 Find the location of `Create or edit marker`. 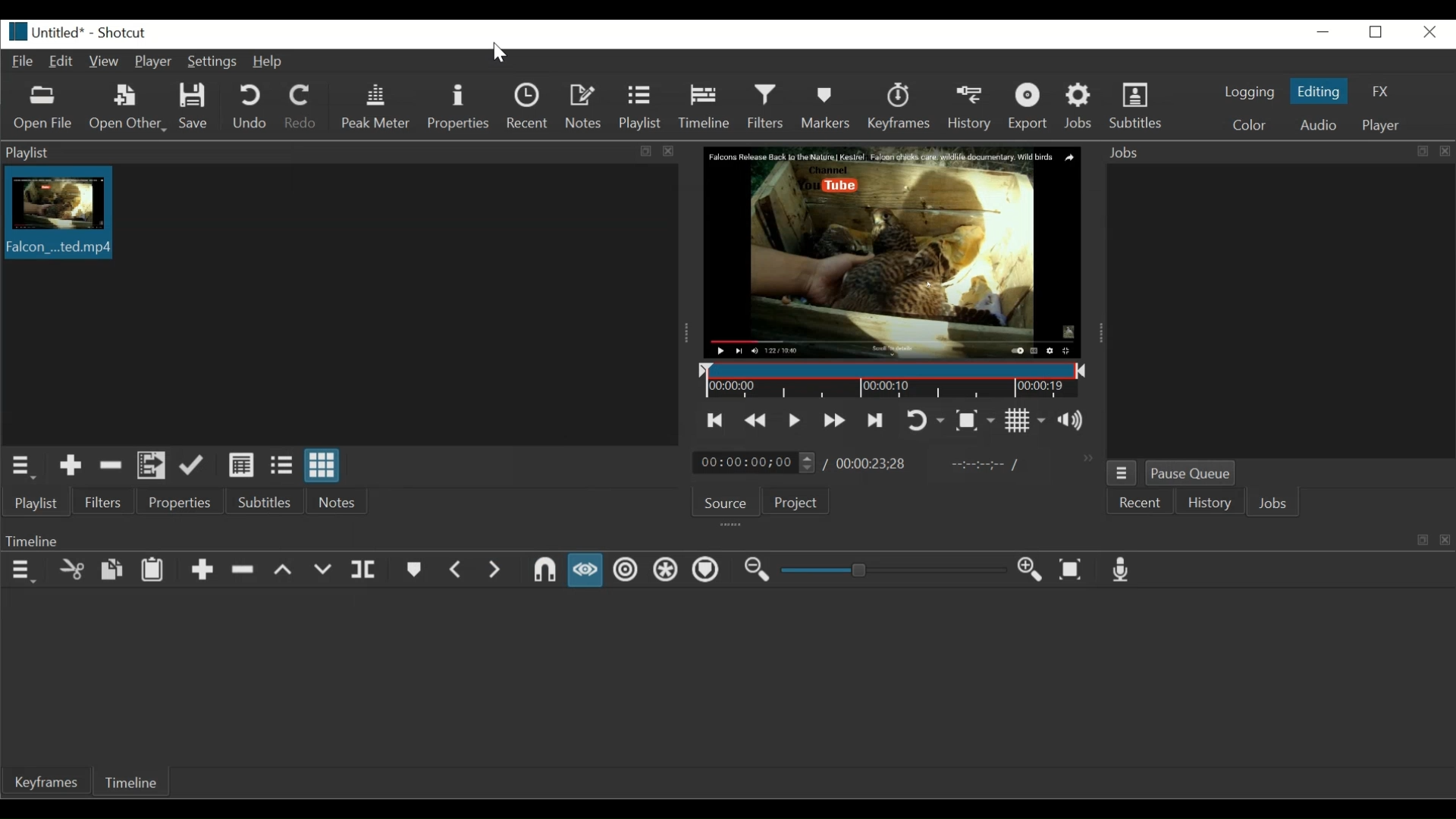

Create or edit marker is located at coordinates (416, 569).